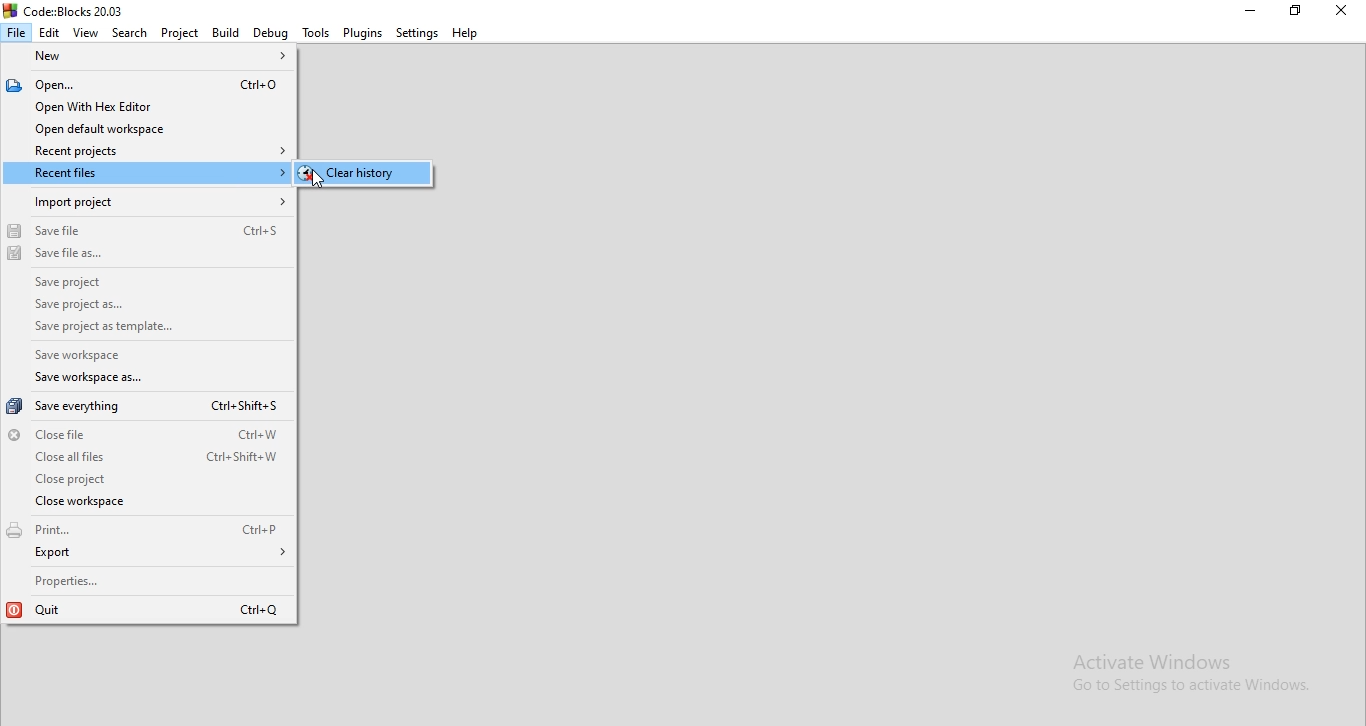 This screenshot has width=1366, height=726. Describe the element at coordinates (147, 504) in the screenshot. I see `Close workspace` at that location.